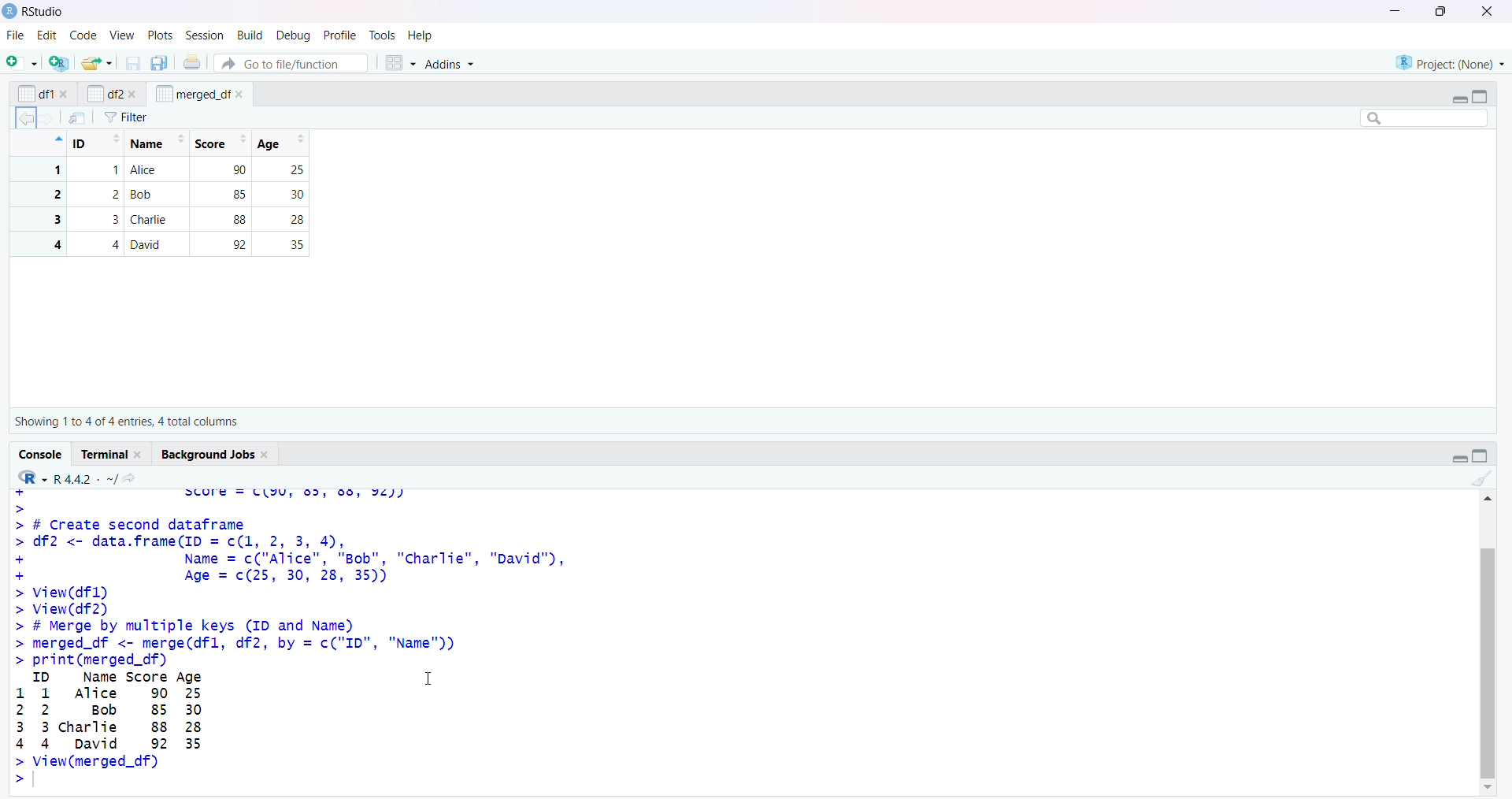 This screenshot has height=799, width=1512. What do you see at coordinates (126, 117) in the screenshot?
I see `Filter` at bounding box center [126, 117].